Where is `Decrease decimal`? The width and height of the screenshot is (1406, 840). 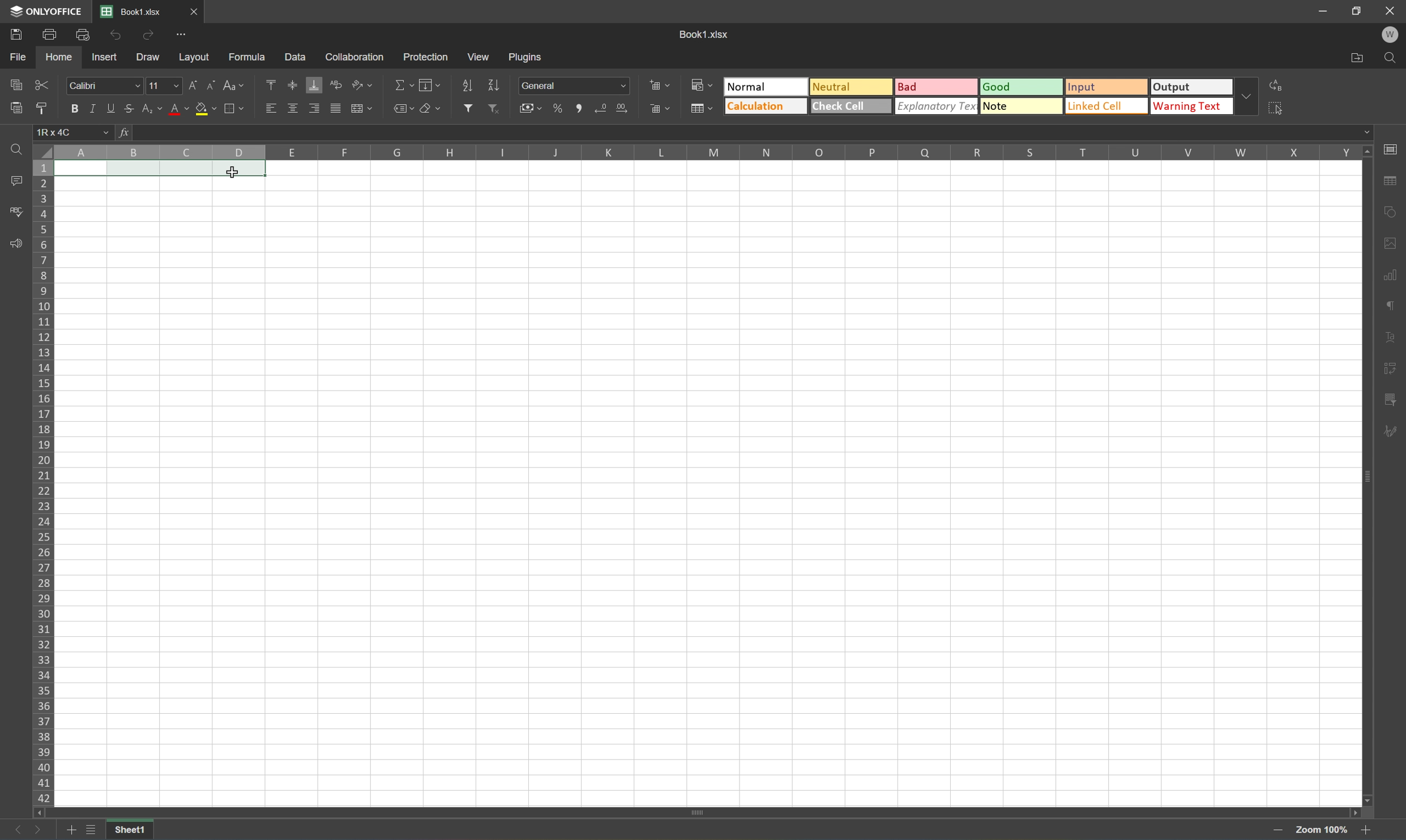
Decrease decimal is located at coordinates (604, 108).